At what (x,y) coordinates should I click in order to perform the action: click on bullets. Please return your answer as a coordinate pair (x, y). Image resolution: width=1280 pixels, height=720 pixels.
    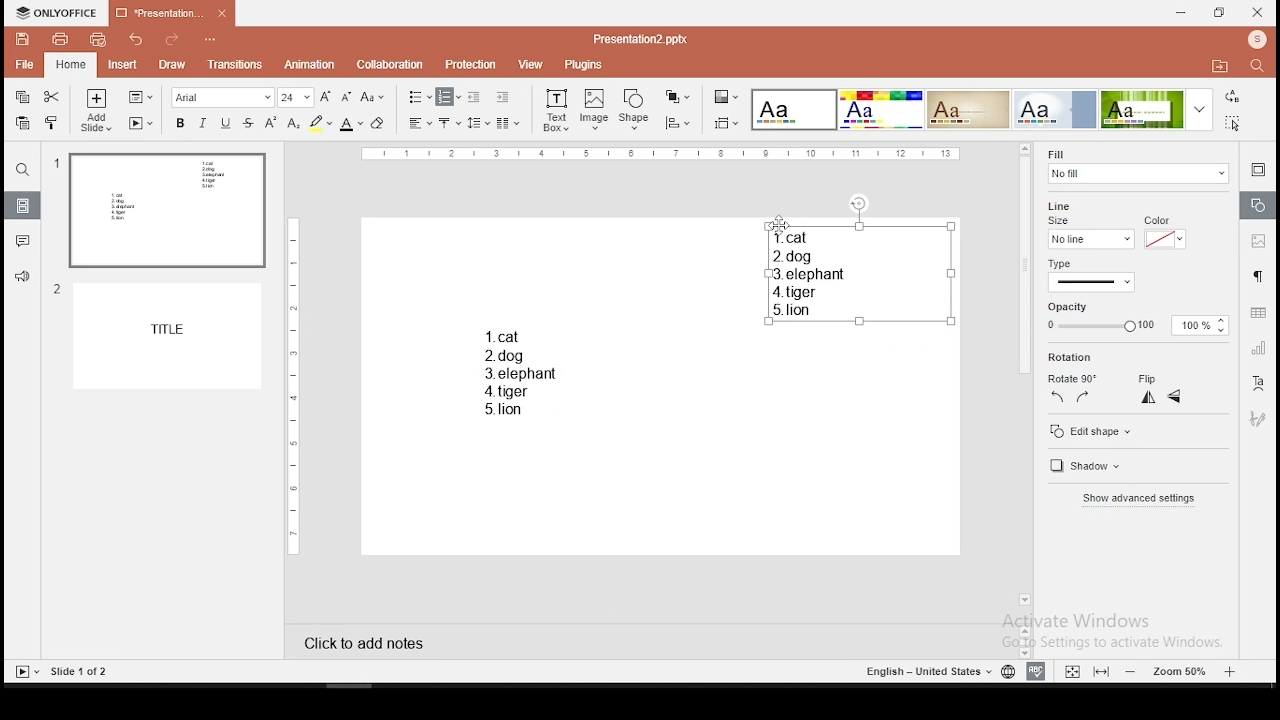
    Looking at the image, I should click on (420, 98).